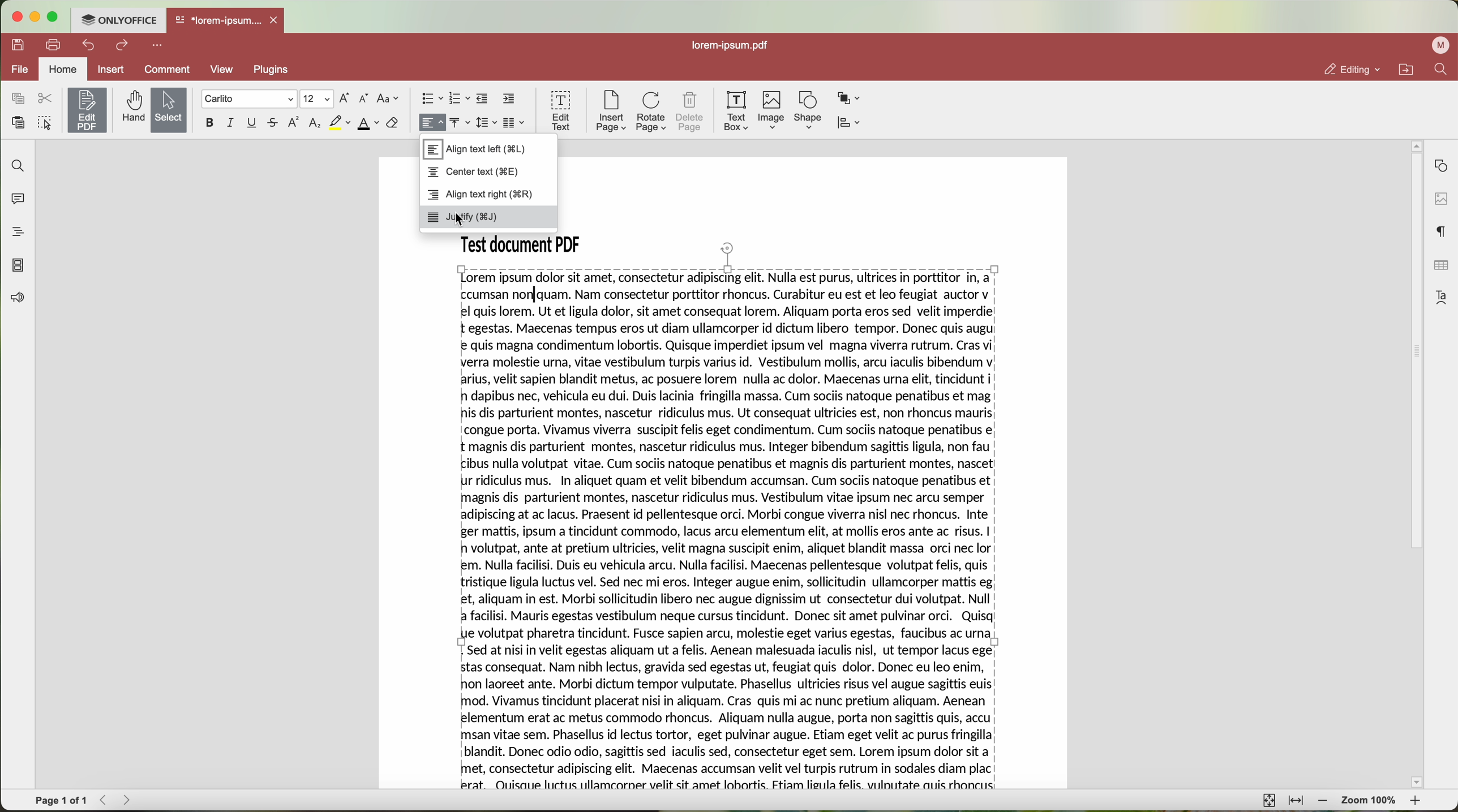 The width and height of the screenshot is (1458, 812). I want to click on underline, so click(254, 123).